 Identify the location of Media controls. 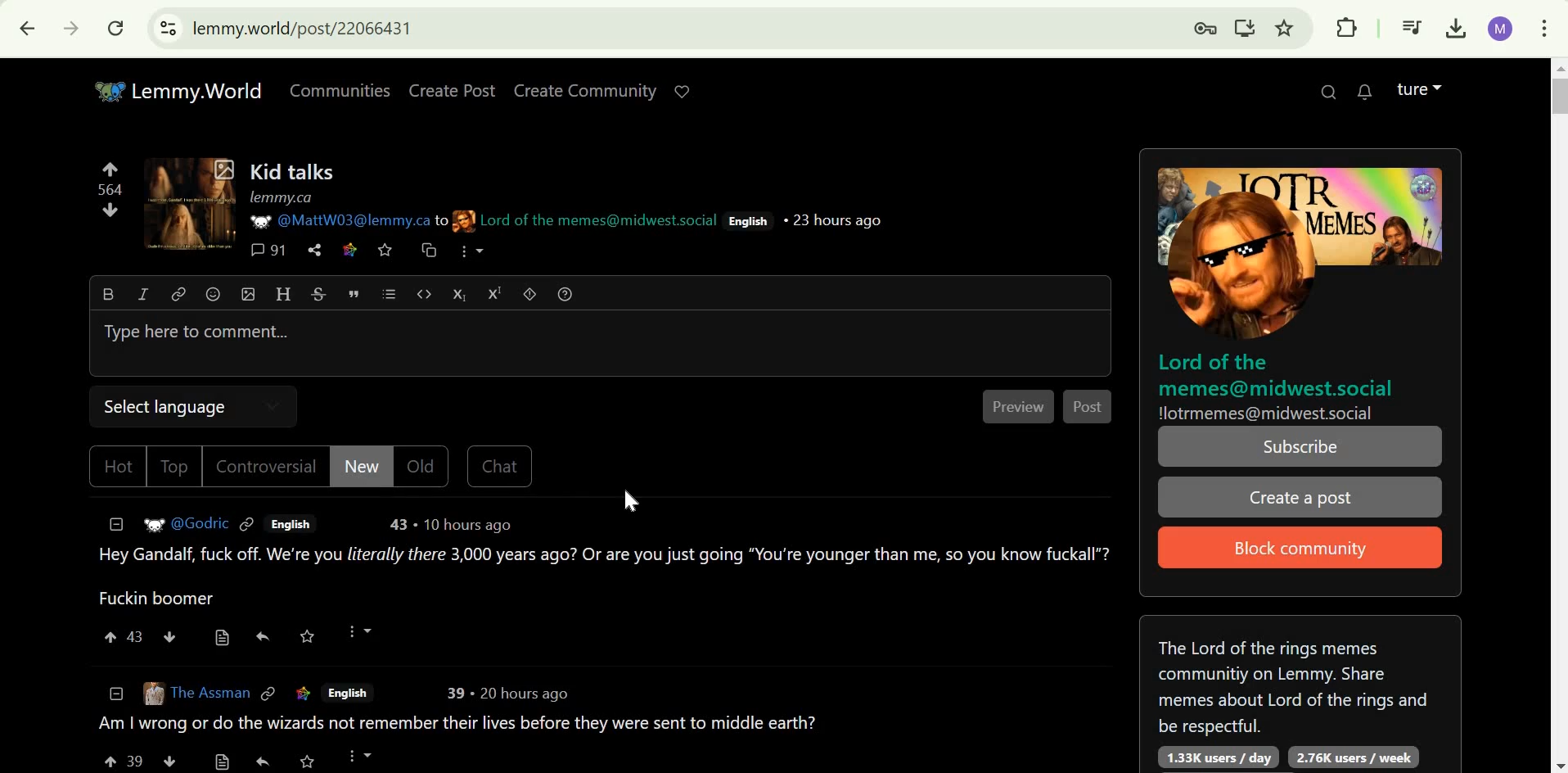
(1413, 26).